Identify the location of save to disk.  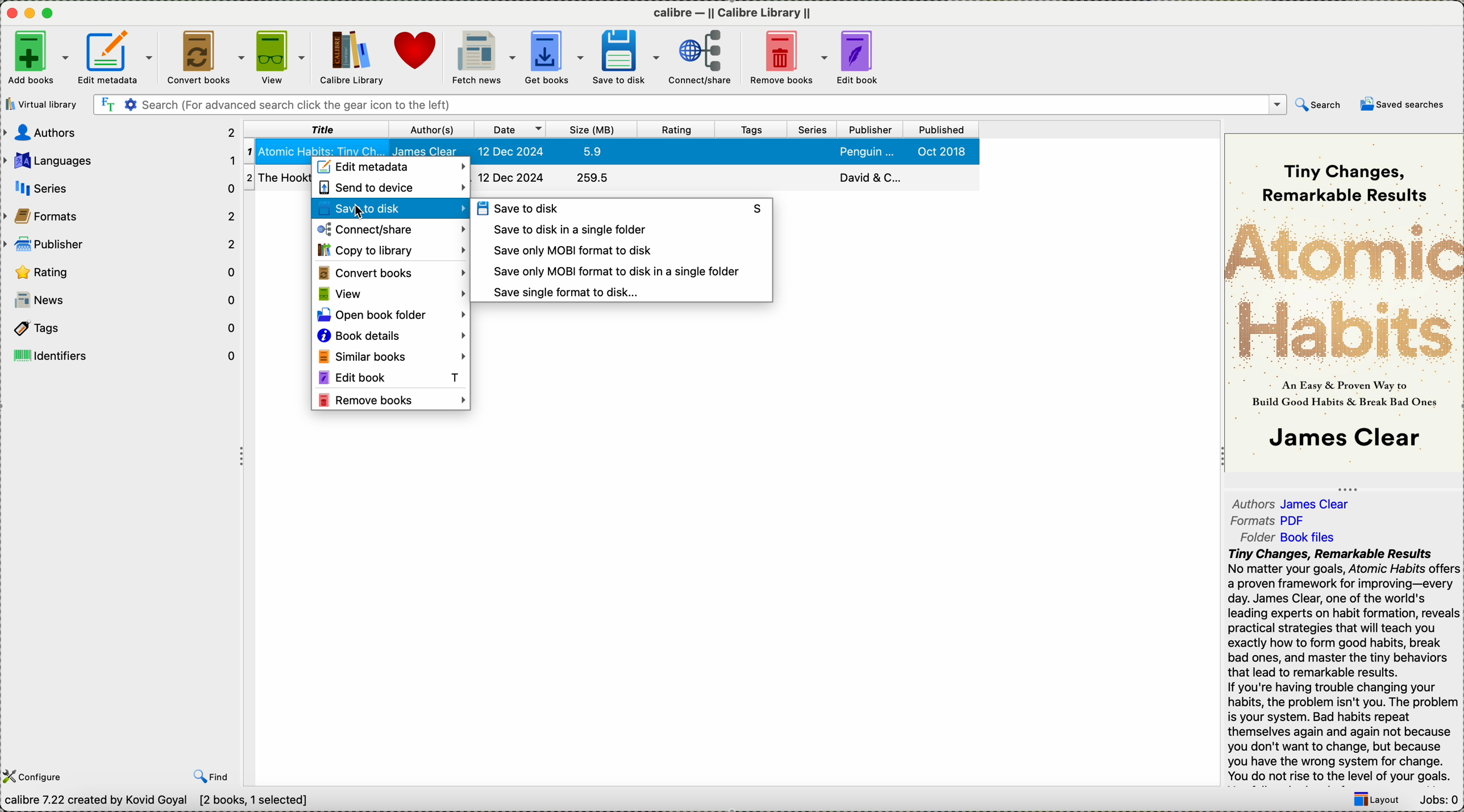
(623, 57).